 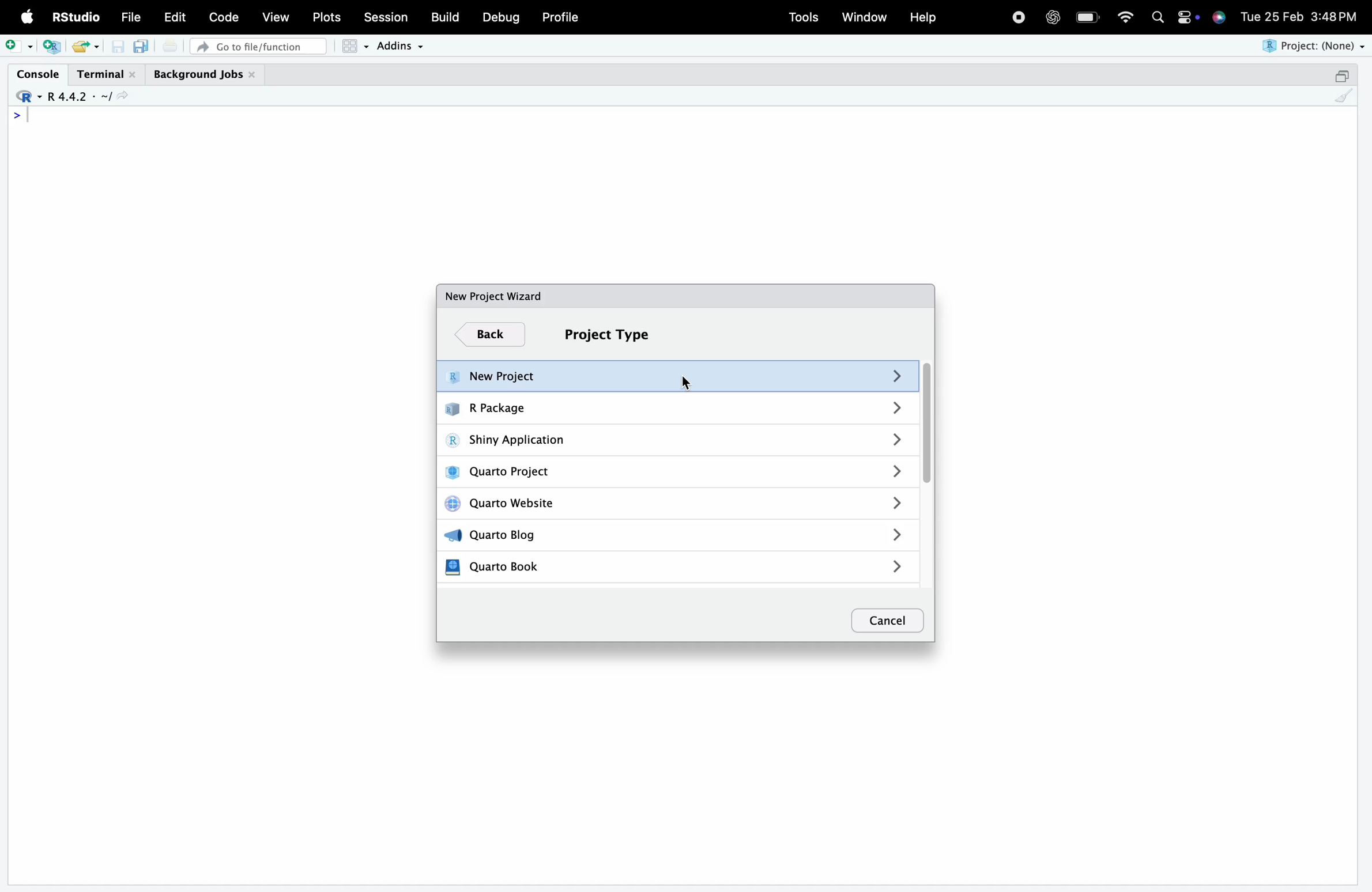 I want to click on Back, so click(x=491, y=335).